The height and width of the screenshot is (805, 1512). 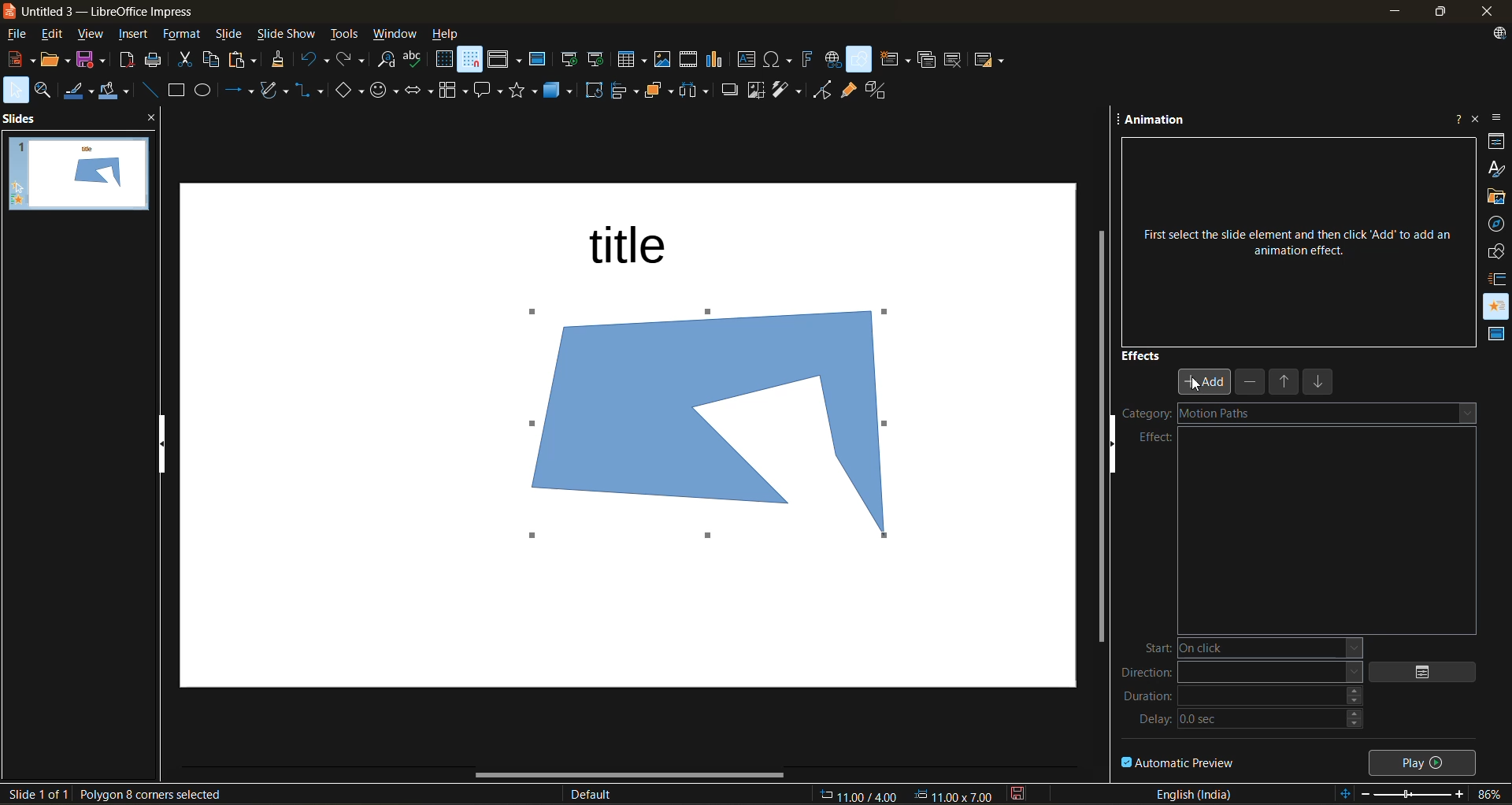 I want to click on shapes and polygons, so click(x=272, y=89).